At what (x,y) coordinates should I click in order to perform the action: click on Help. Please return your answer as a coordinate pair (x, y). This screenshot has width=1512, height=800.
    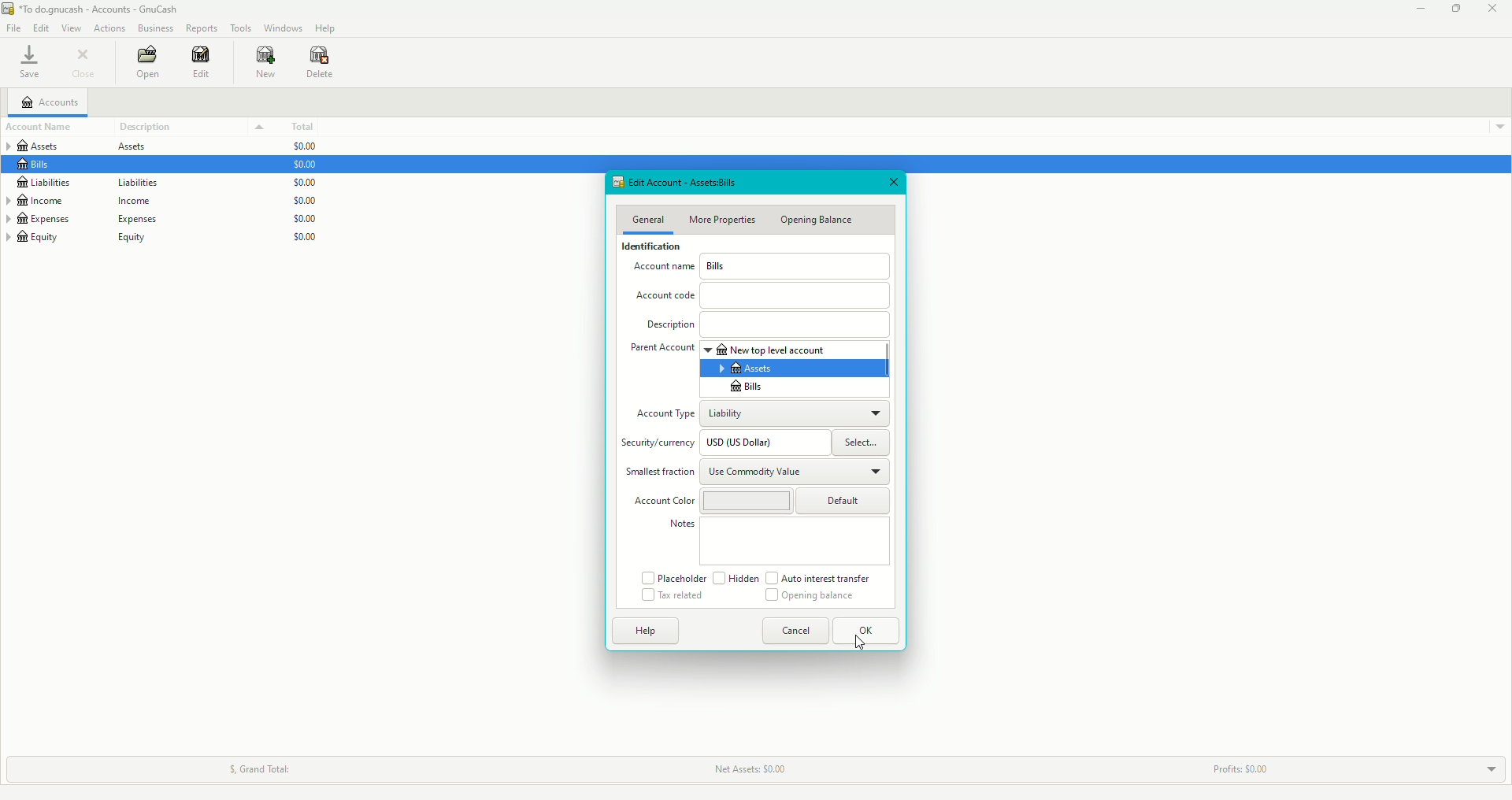
    Looking at the image, I should click on (642, 631).